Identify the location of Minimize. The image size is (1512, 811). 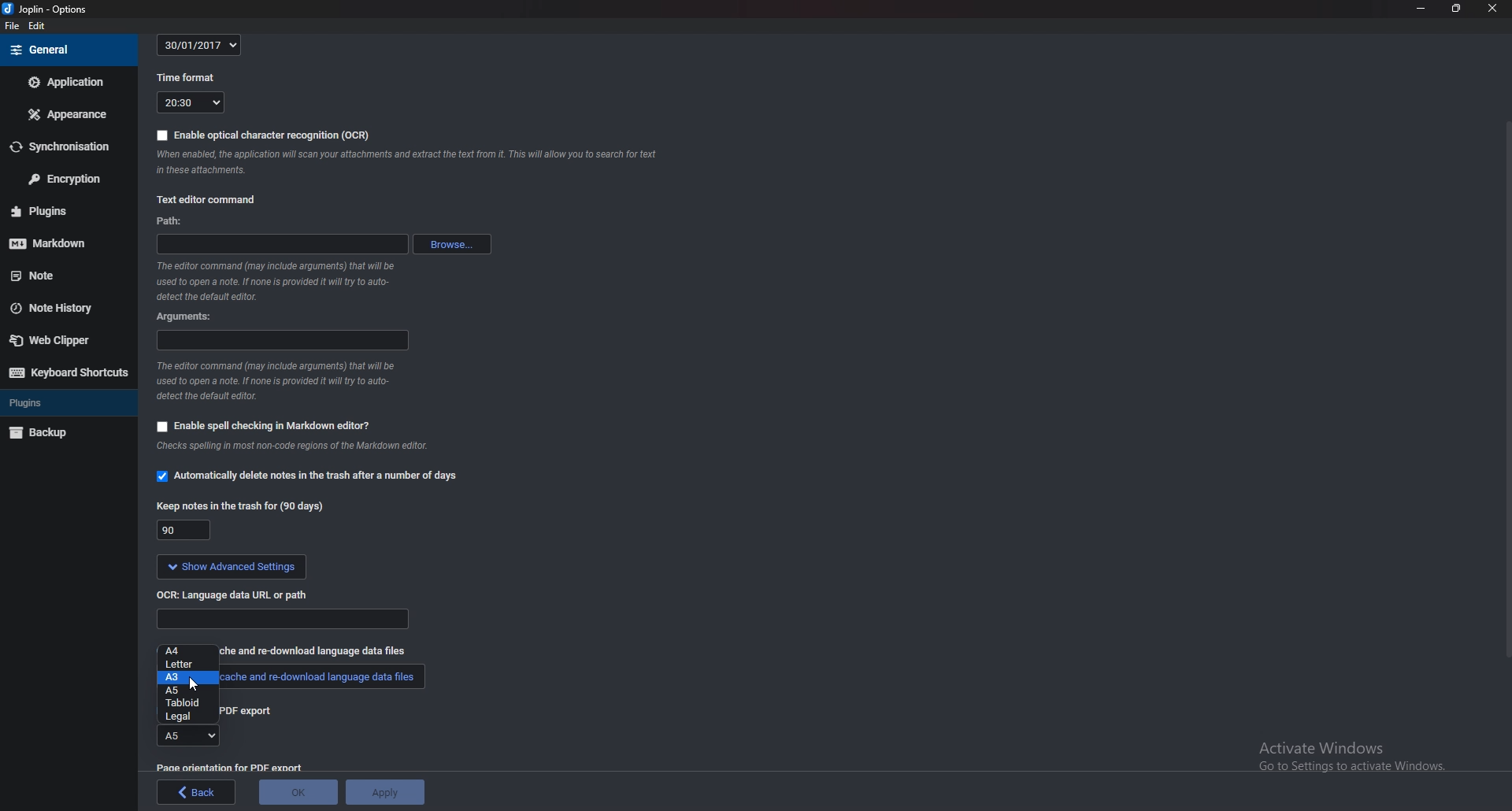
(1422, 9).